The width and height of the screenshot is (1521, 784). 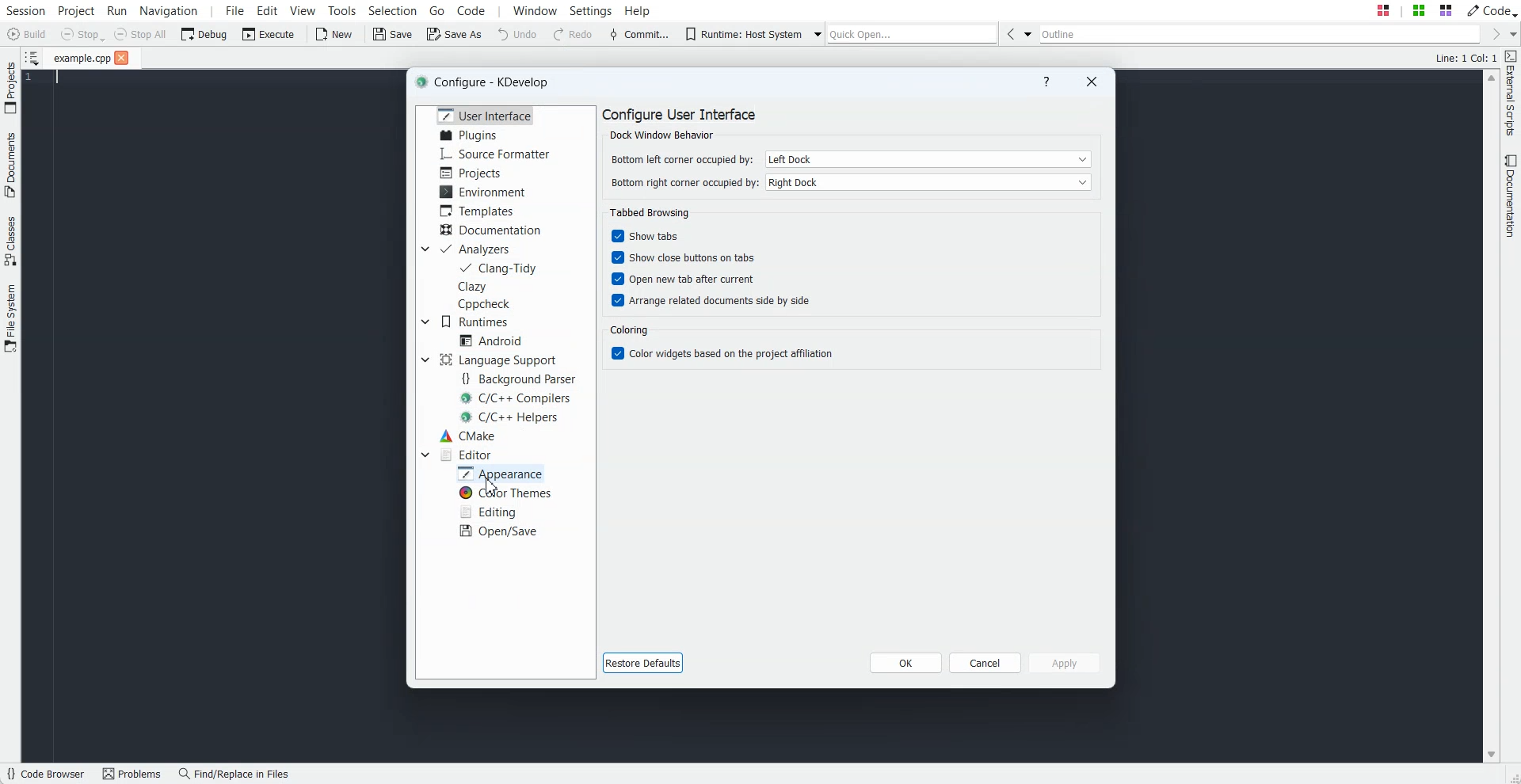 What do you see at coordinates (1009, 33) in the screenshot?
I see `Go Back` at bounding box center [1009, 33].